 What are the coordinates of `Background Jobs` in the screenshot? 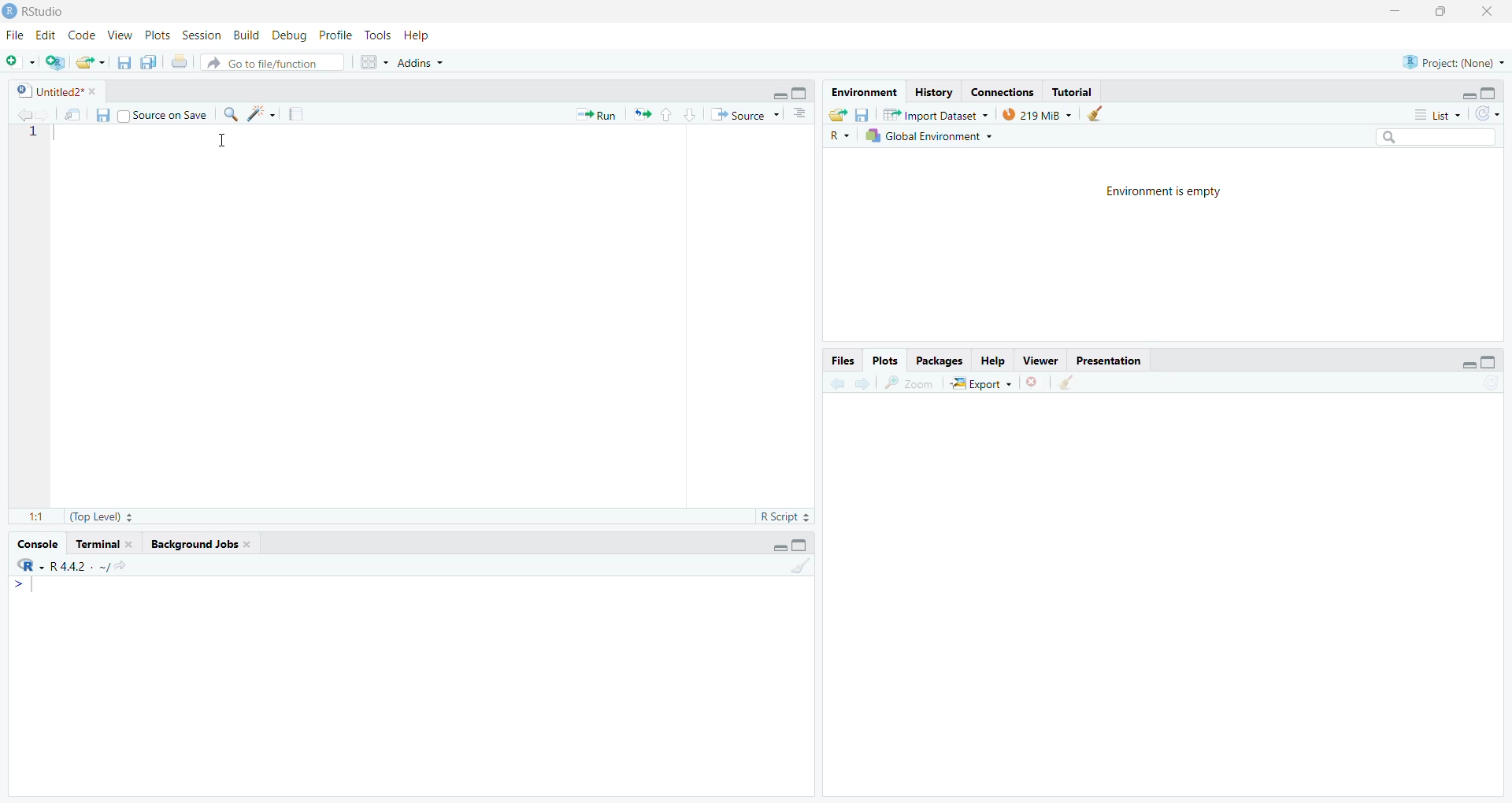 It's located at (199, 545).